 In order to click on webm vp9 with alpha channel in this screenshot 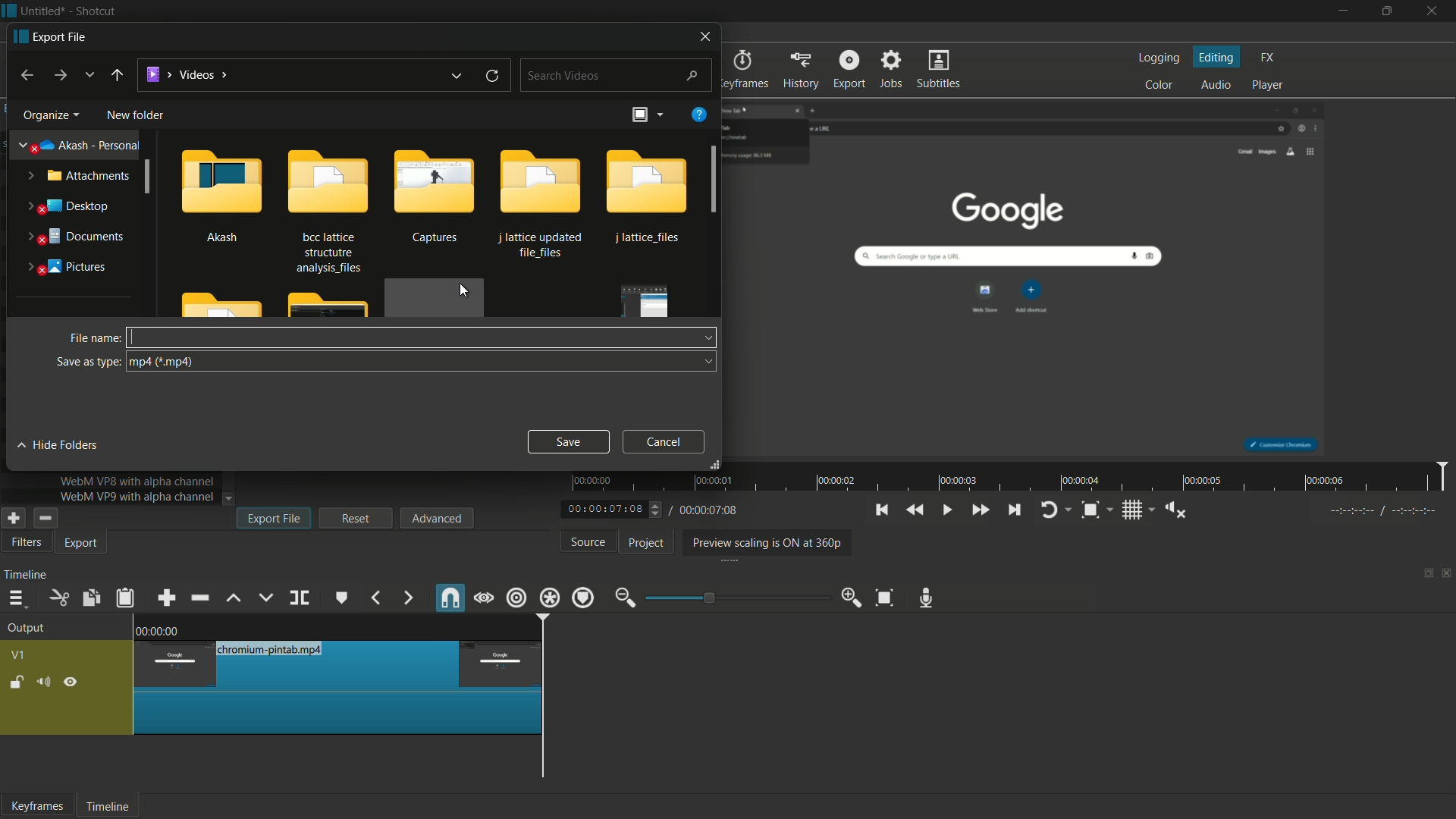, I will do `click(133, 497)`.